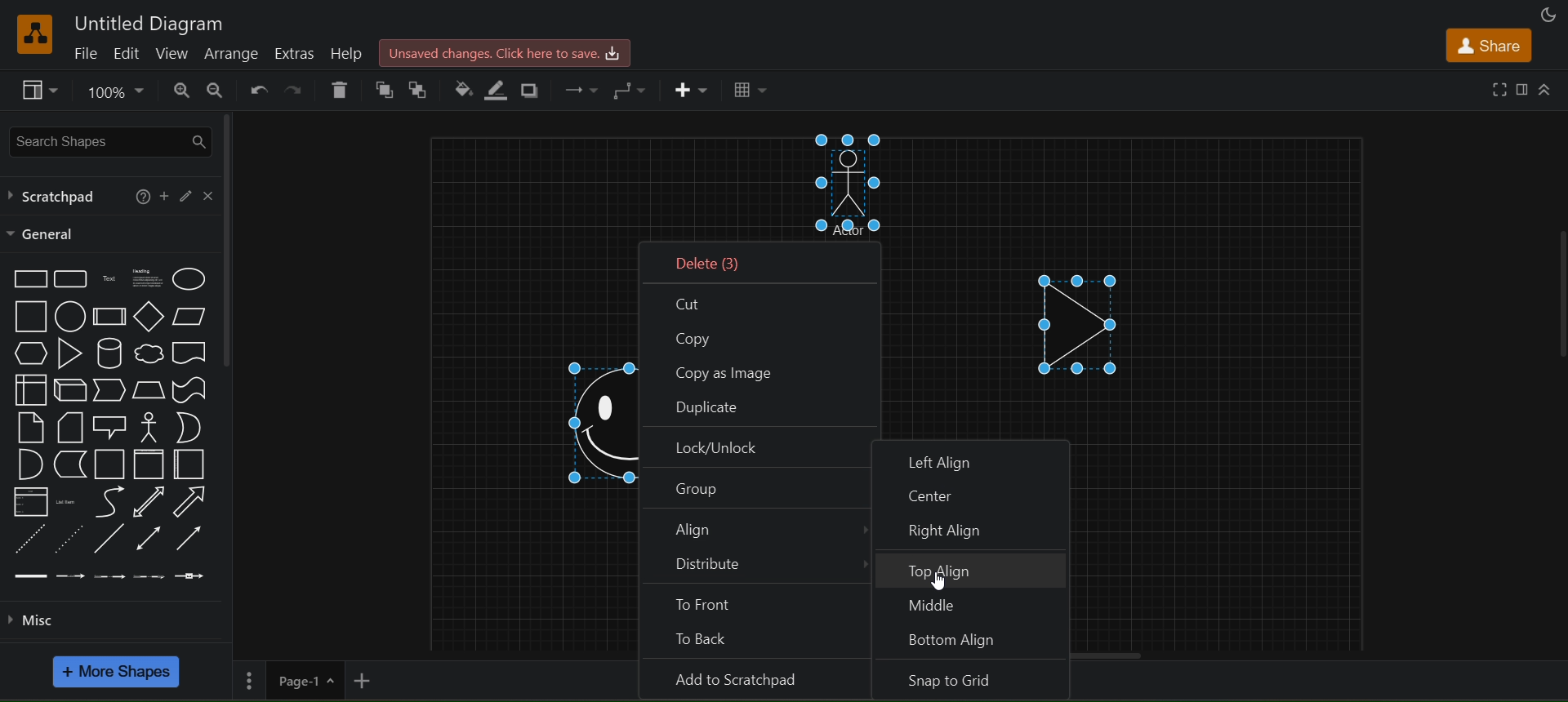  I want to click on distribute, so click(755, 569).